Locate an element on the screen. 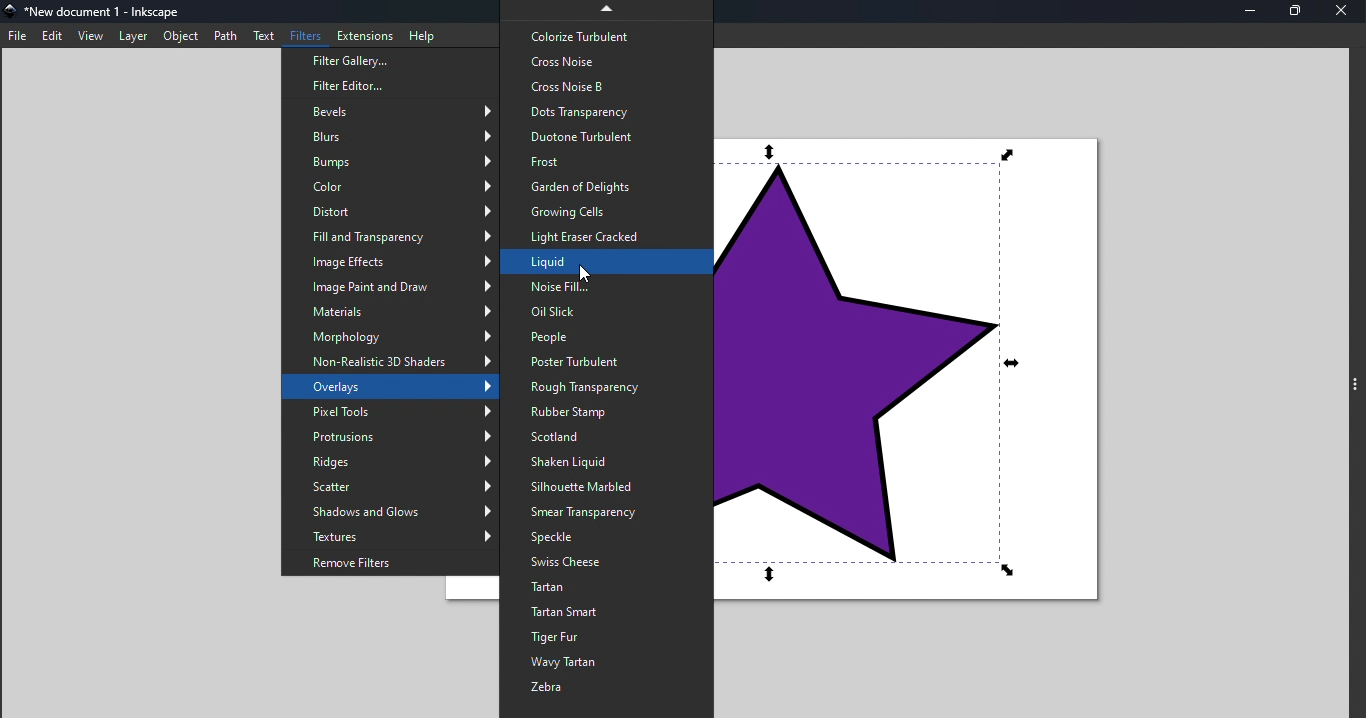 The height and width of the screenshot is (718, 1366). Path is located at coordinates (223, 36).